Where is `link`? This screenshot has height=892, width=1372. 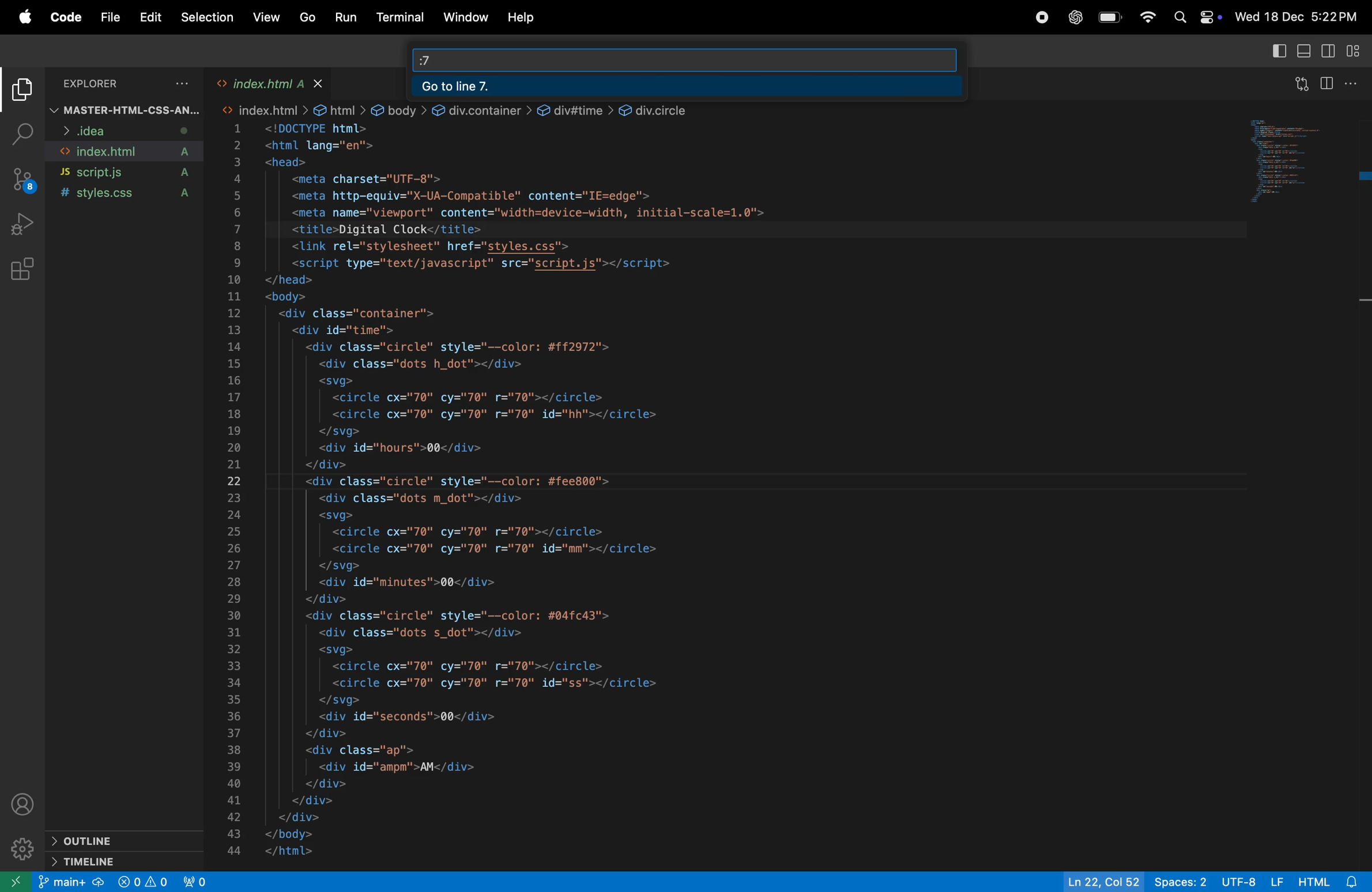 link is located at coordinates (402, 107).